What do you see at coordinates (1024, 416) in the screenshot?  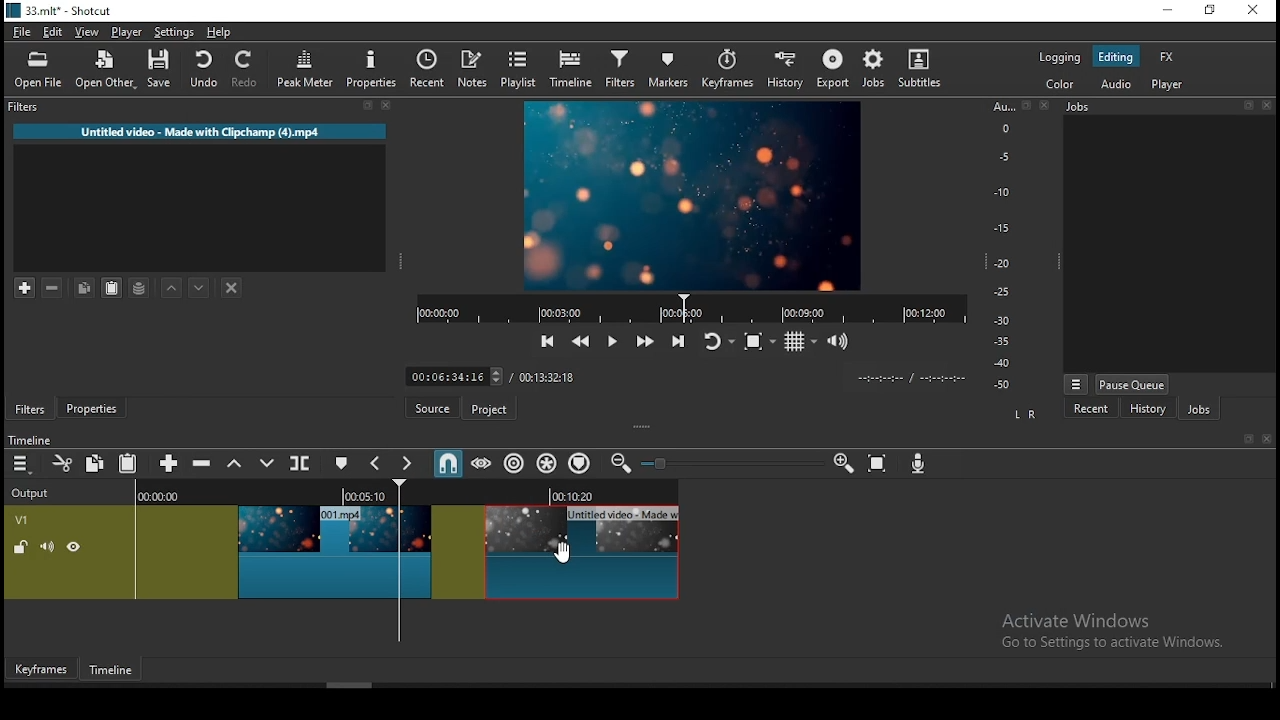 I see `LR` at bounding box center [1024, 416].